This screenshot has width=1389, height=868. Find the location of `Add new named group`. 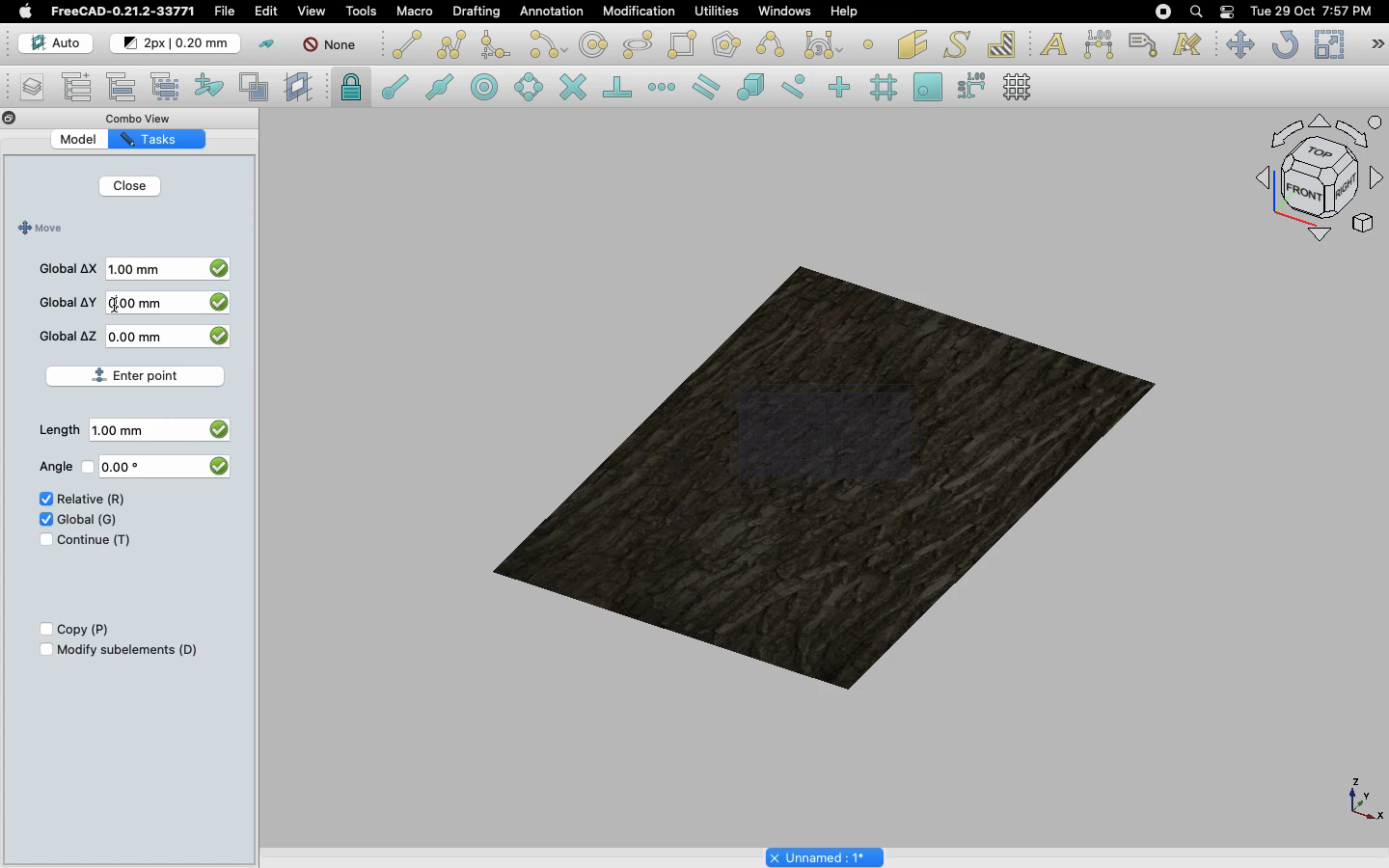

Add new named group is located at coordinates (81, 89).